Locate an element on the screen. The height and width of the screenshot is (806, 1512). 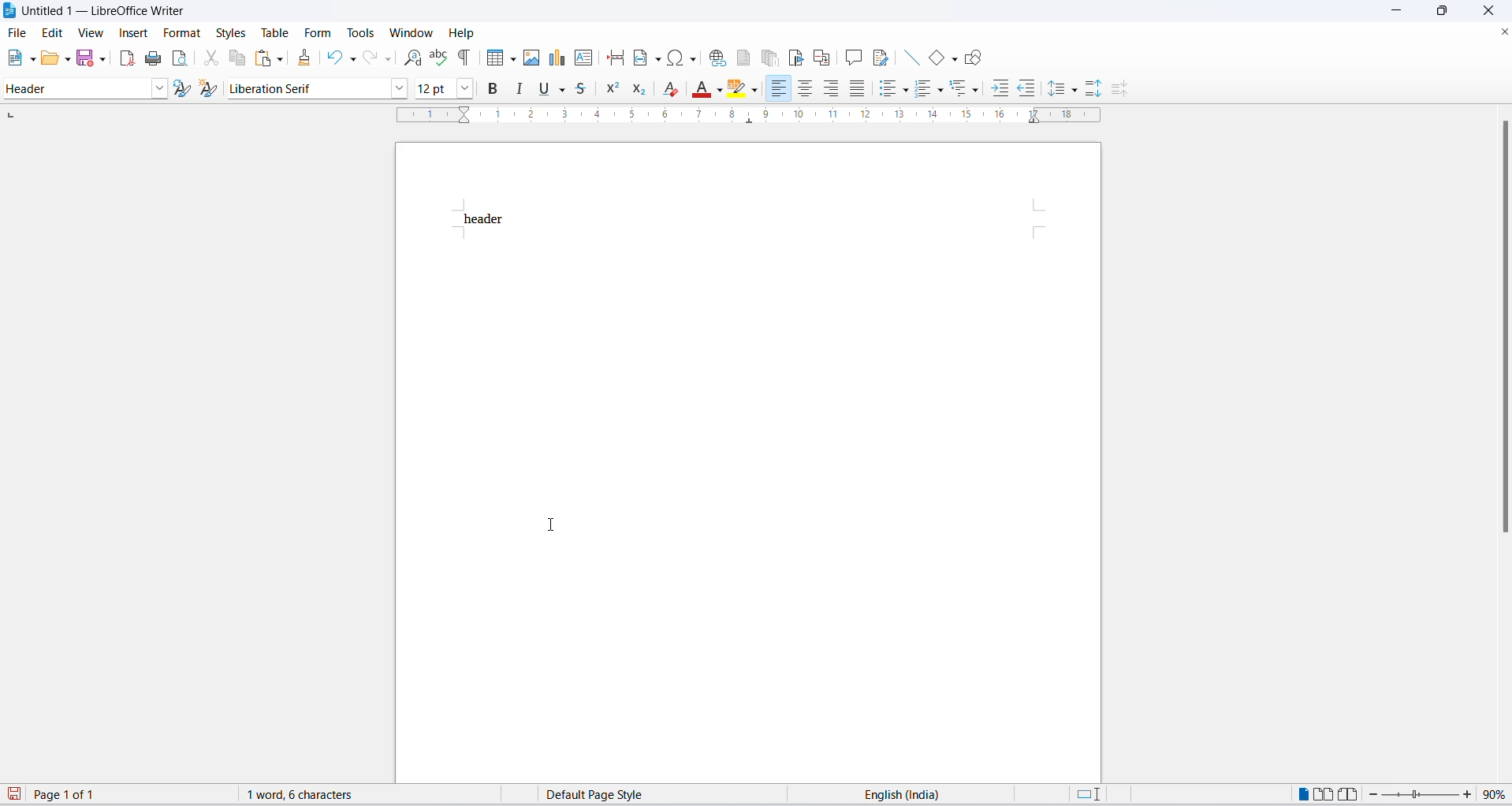
redo is located at coordinates (378, 58).